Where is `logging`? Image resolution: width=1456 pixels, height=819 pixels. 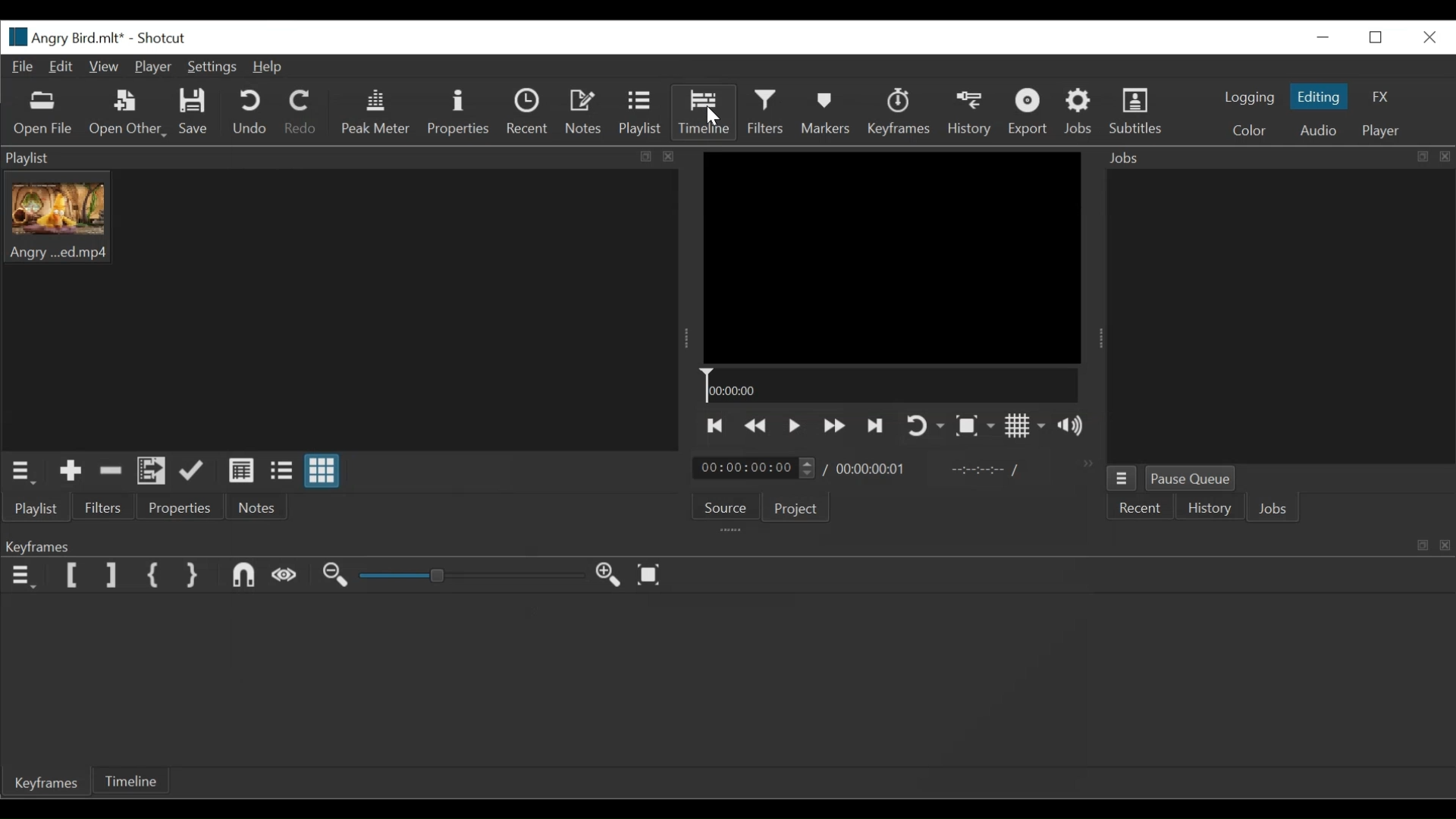 logging is located at coordinates (1250, 98).